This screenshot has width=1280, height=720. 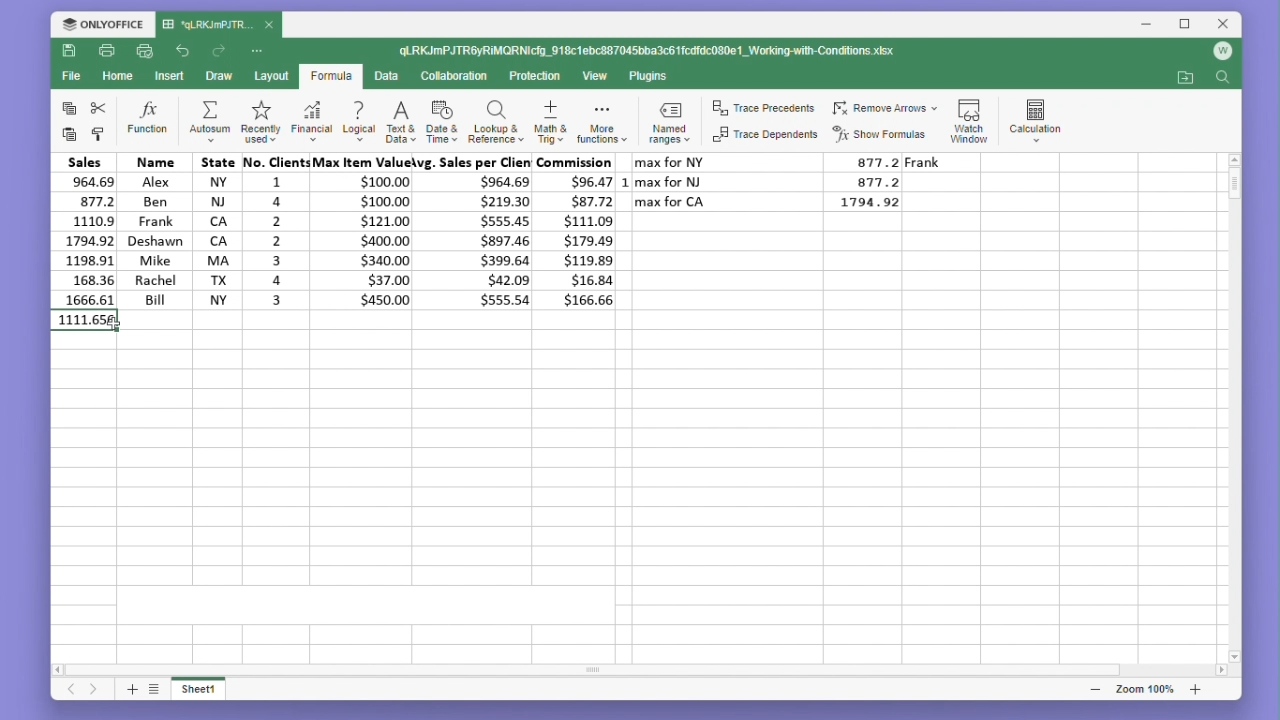 I want to click on Name Alex Ben Frank deshavn Mike Rache Bill, so click(x=154, y=231).